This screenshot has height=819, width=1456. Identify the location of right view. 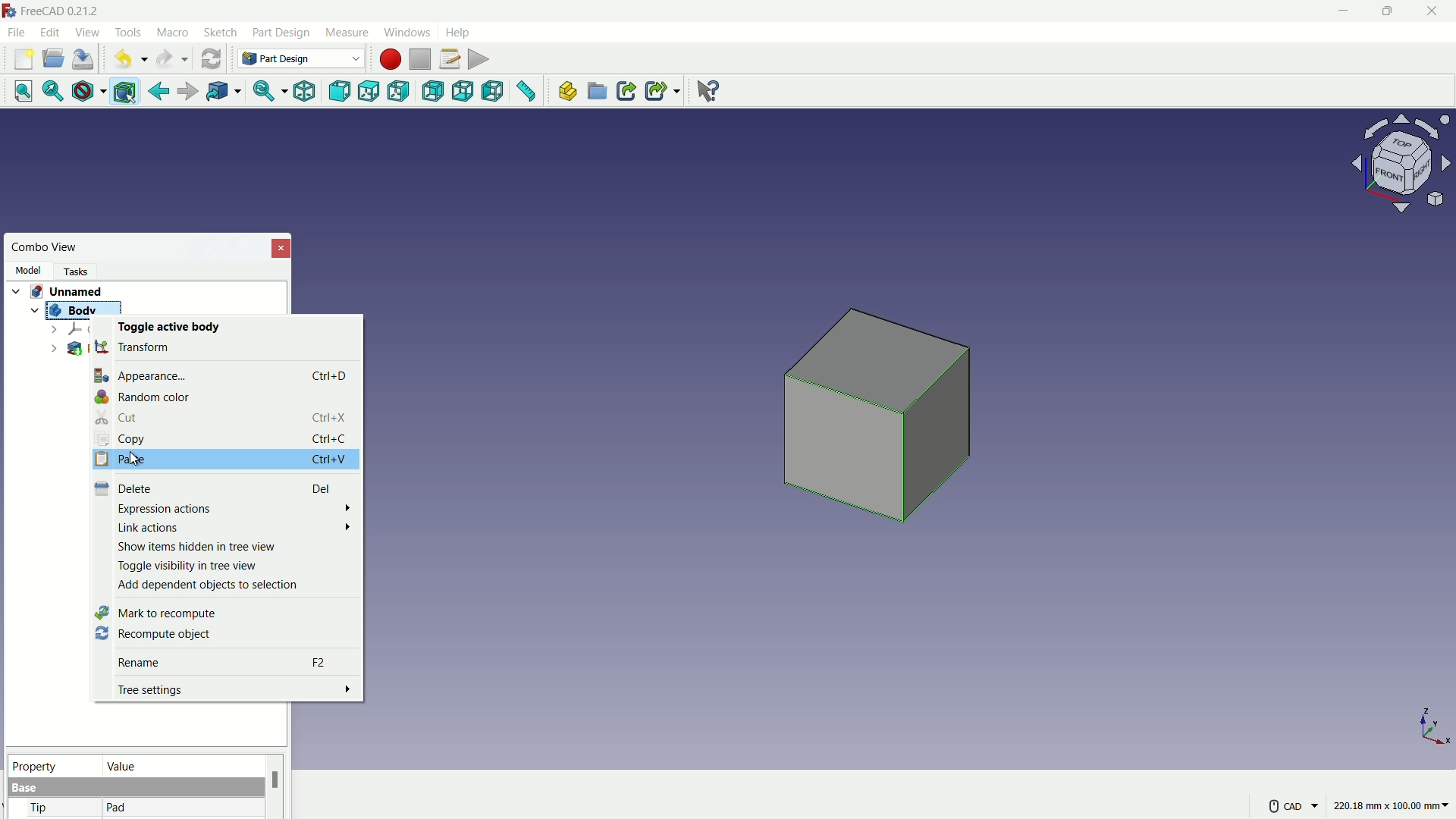
(400, 94).